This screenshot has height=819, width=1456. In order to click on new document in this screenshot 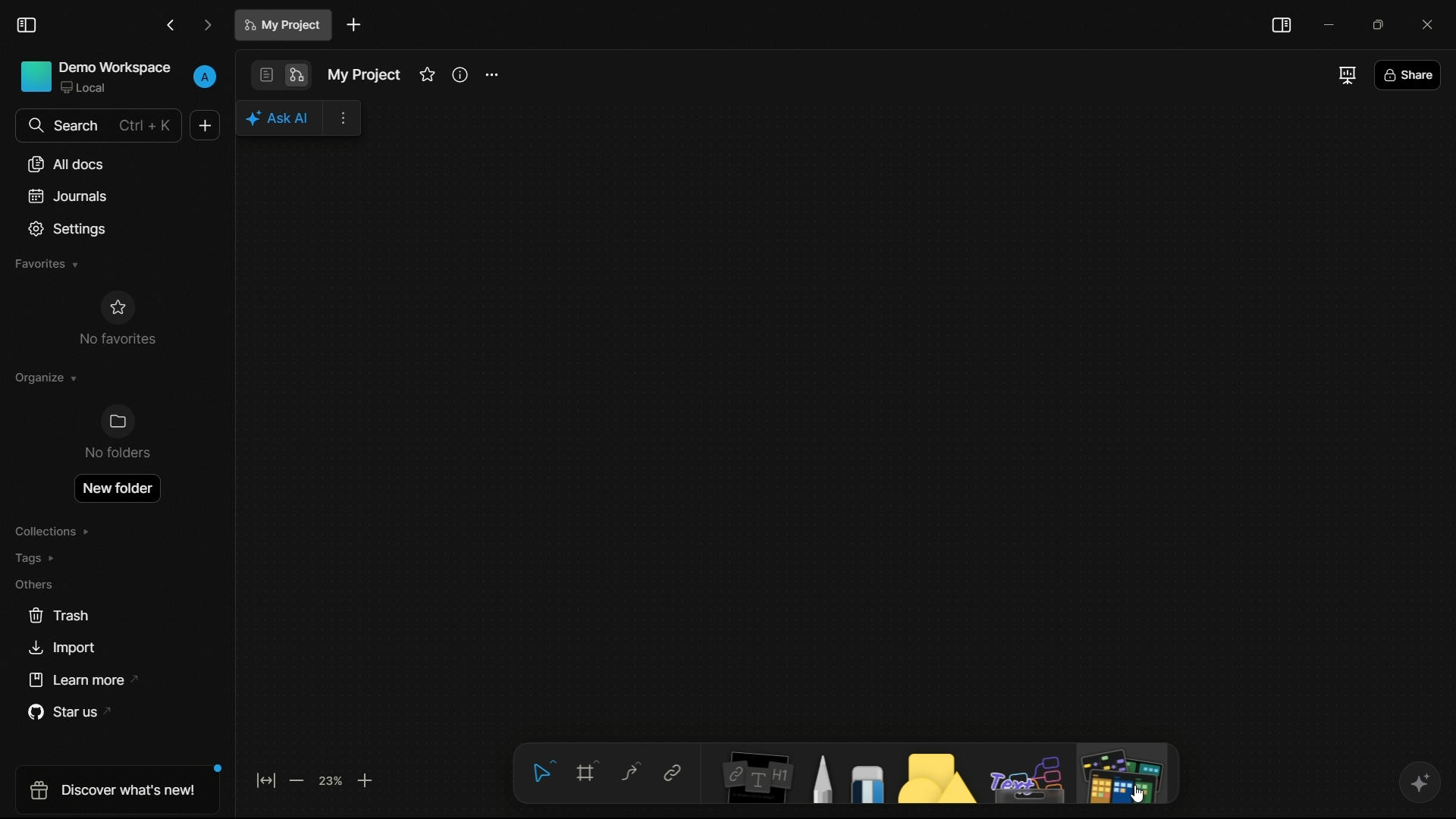, I will do `click(205, 125)`.